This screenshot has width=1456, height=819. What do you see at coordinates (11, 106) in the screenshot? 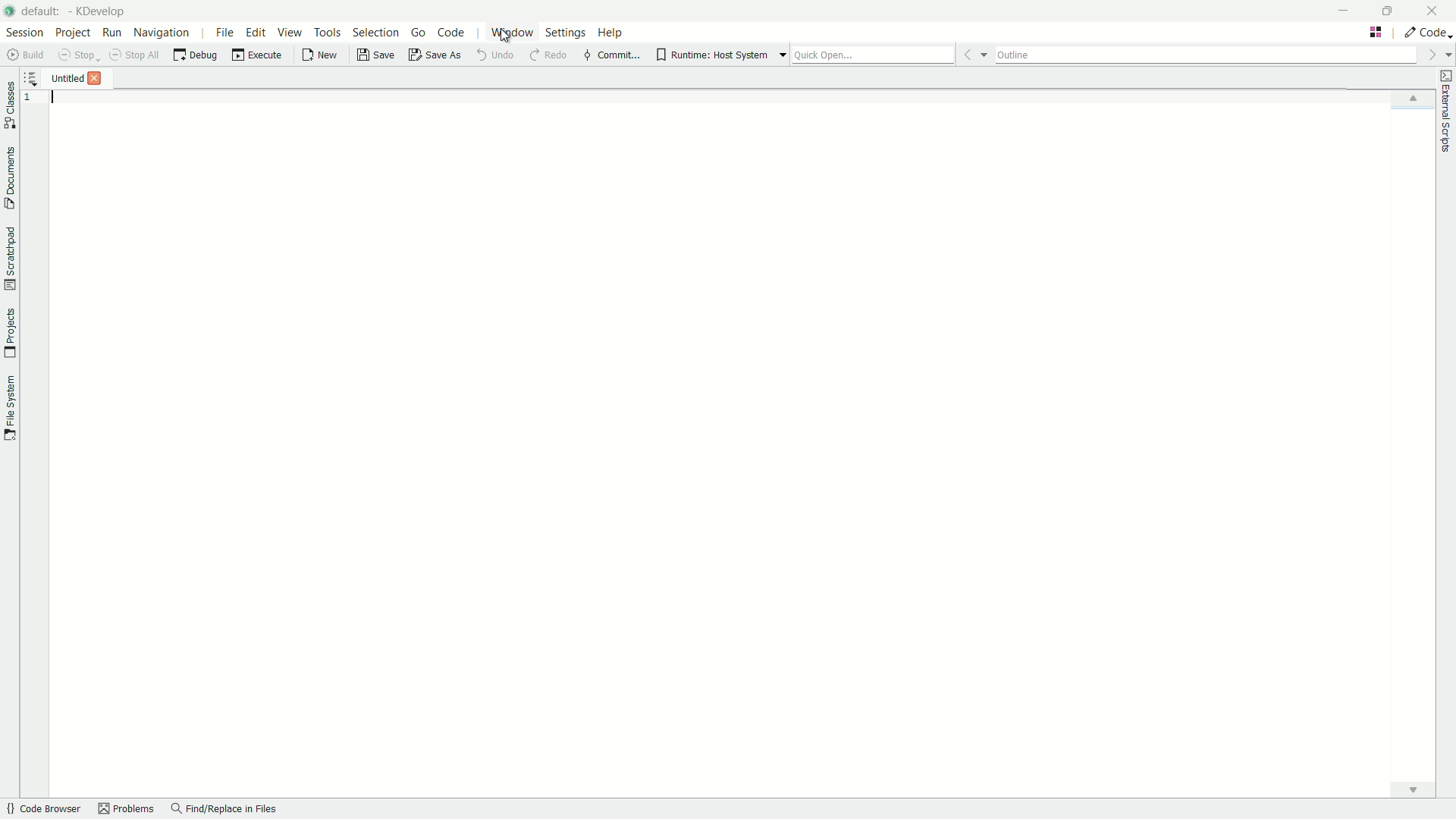
I see `toggle classes` at bounding box center [11, 106].